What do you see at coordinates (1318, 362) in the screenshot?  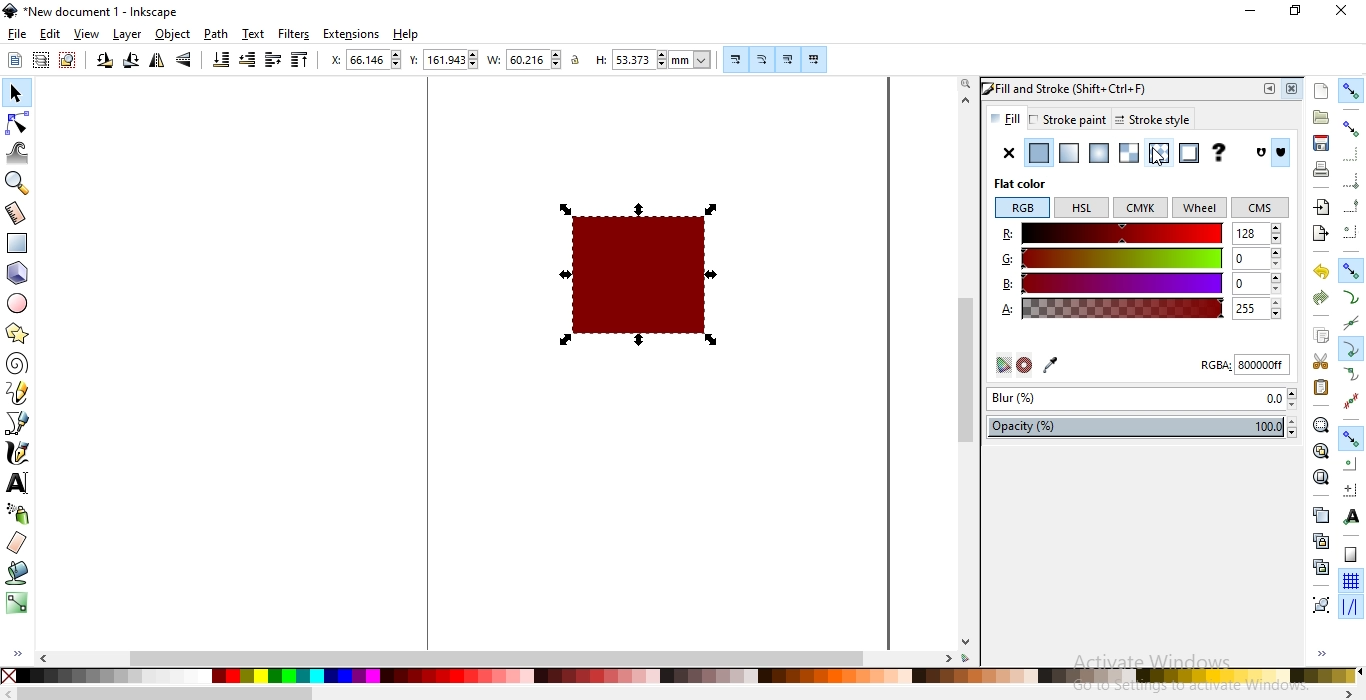 I see `cut selection` at bounding box center [1318, 362].